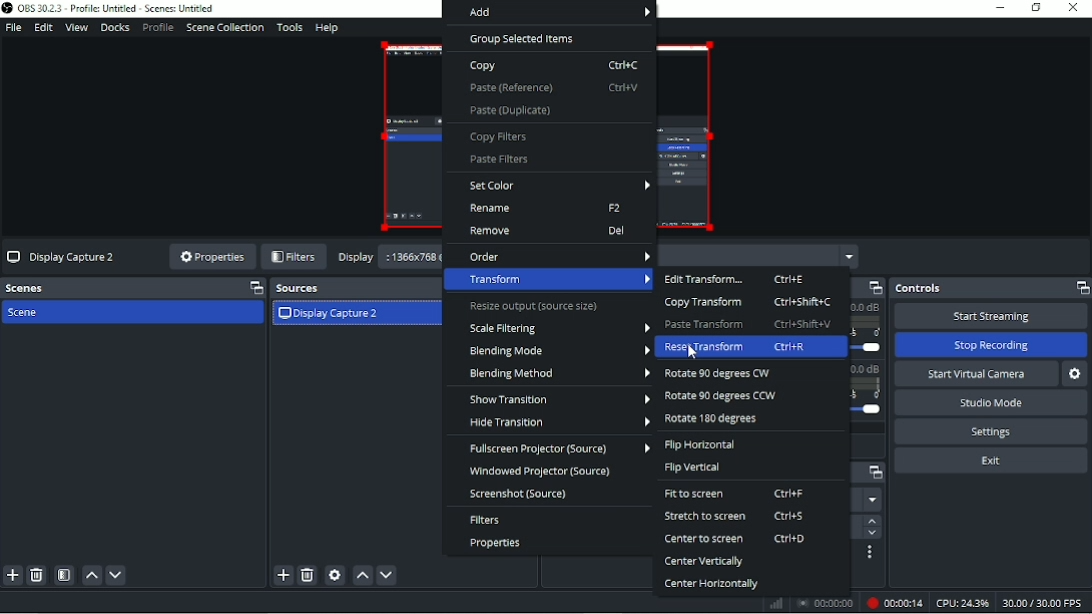 The image size is (1092, 614). What do you see at coordinates (990, 288) in the screenshot?
I see `Controls` at bounding box center [990, 288].